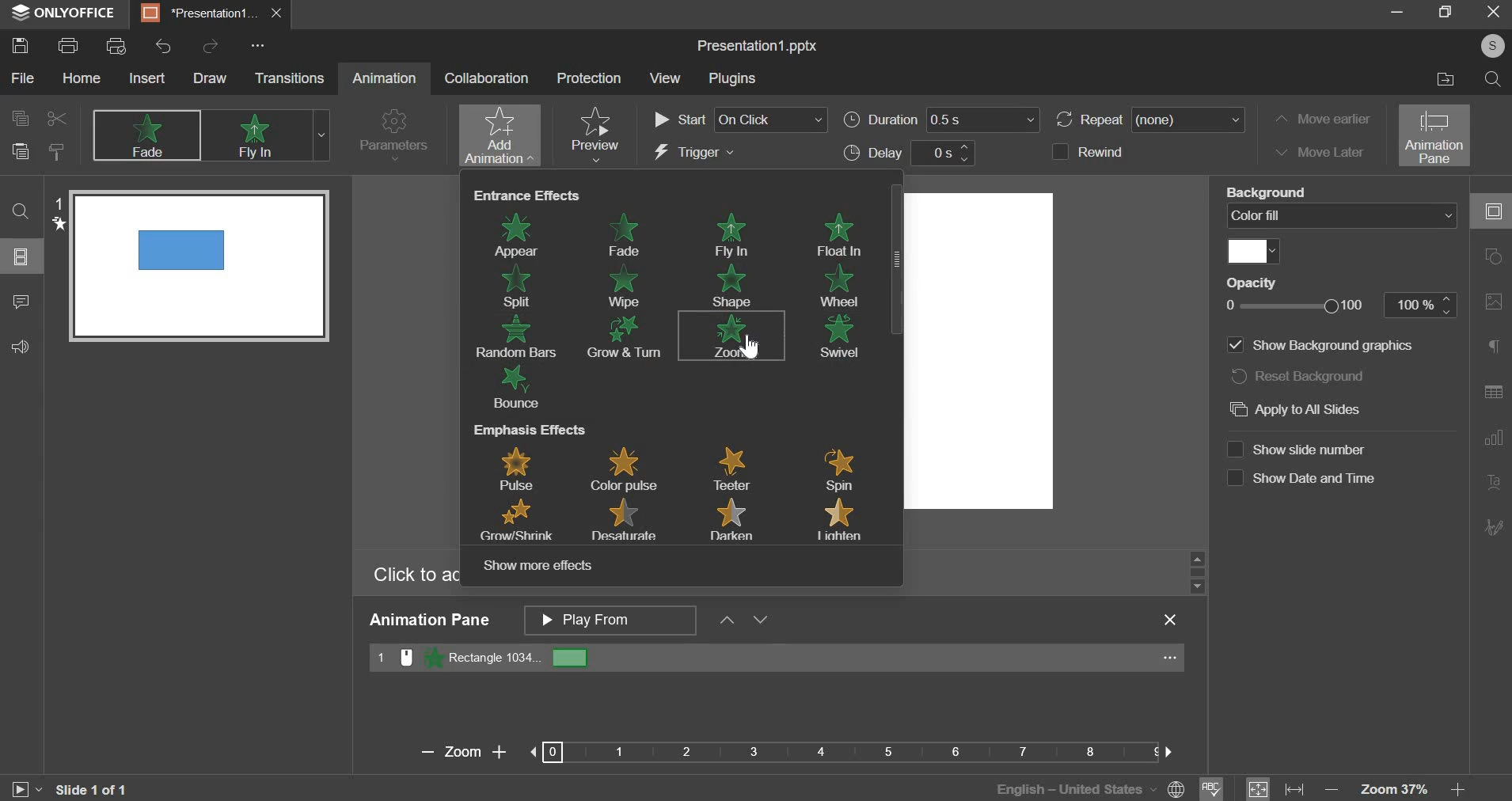 Image resolution: width=1512 pixels, height=801 pixels. What do you see at coordinates (626, 339) in the screenshot?
I see `grow & turn` at bounding box center [626, 339].